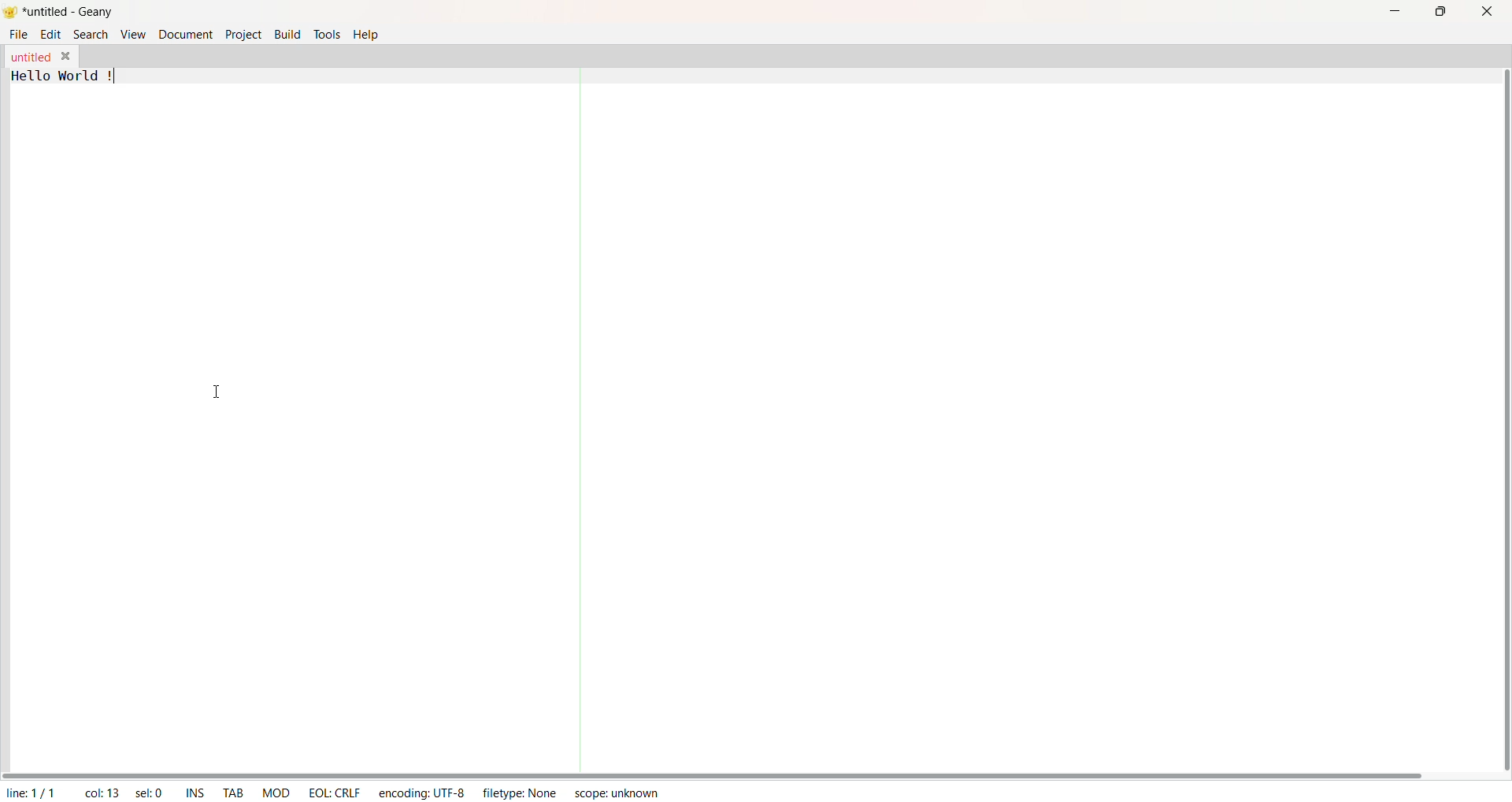 The image size is (1512, 802). What do you see at coordinates (98, 790) in the screenshot?
I see `Col: 13` at bounding box center [98, 790].